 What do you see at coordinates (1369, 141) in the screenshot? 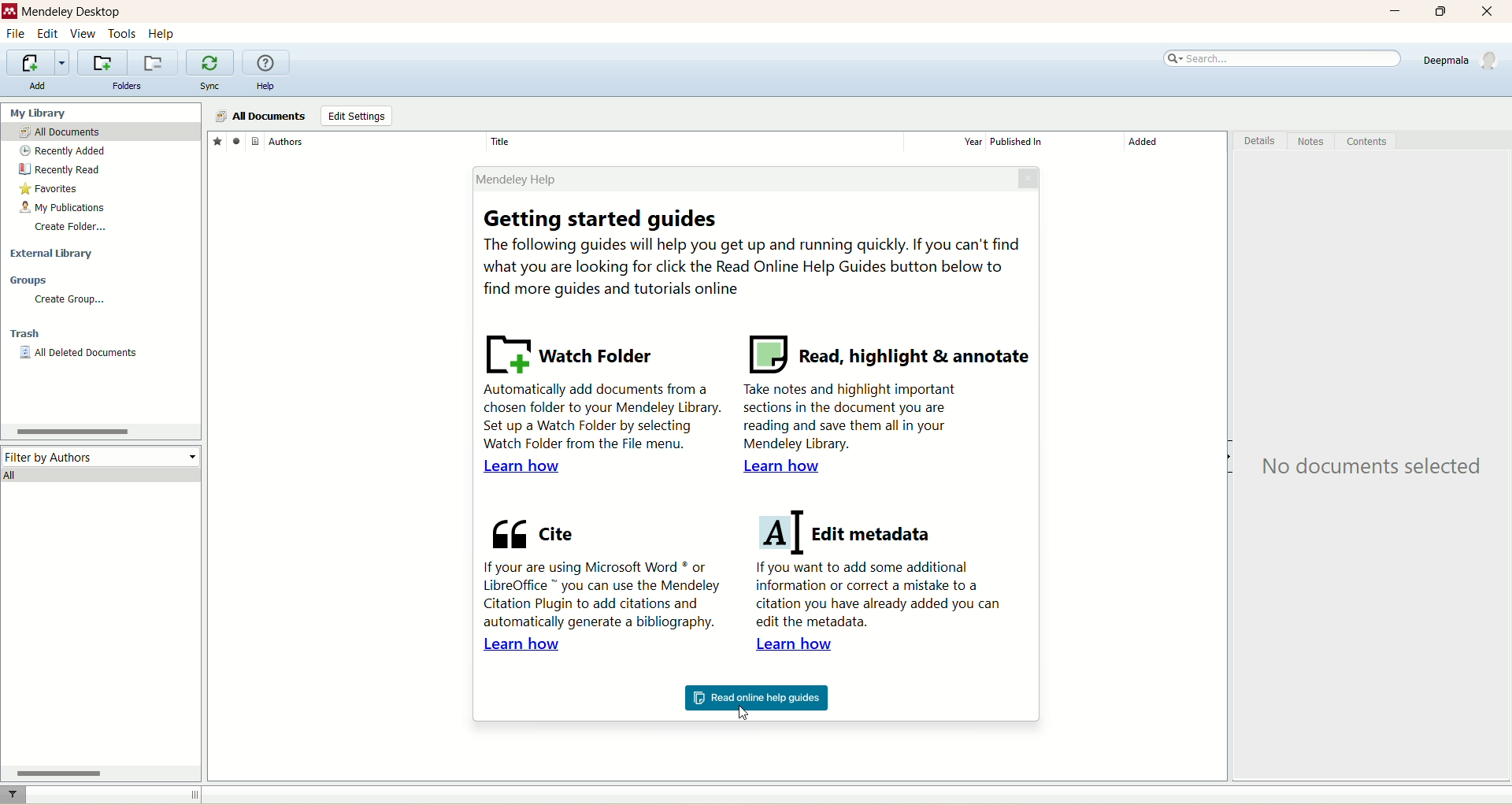
I see `contents` at bounding box center [1369, 141].